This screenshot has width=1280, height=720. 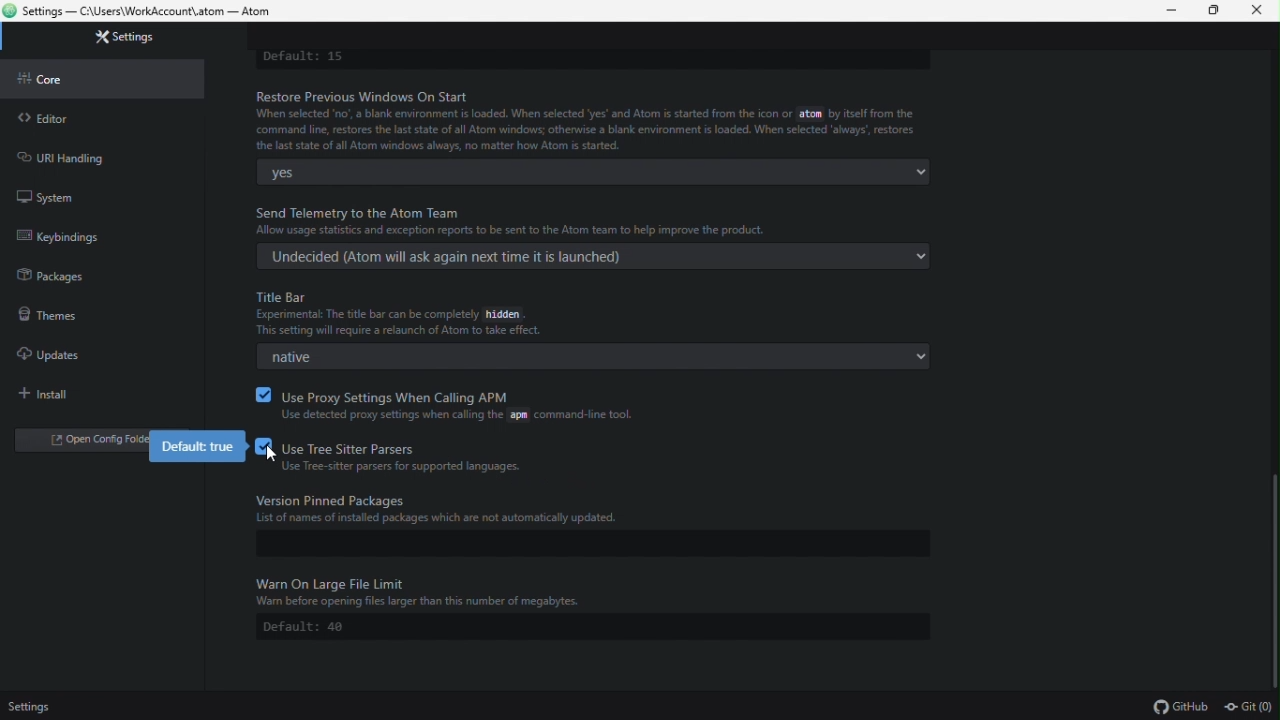 What do you see at coordinates (594, 172) in the screenshot?
I see `yes` at bounding box center [594, 172].